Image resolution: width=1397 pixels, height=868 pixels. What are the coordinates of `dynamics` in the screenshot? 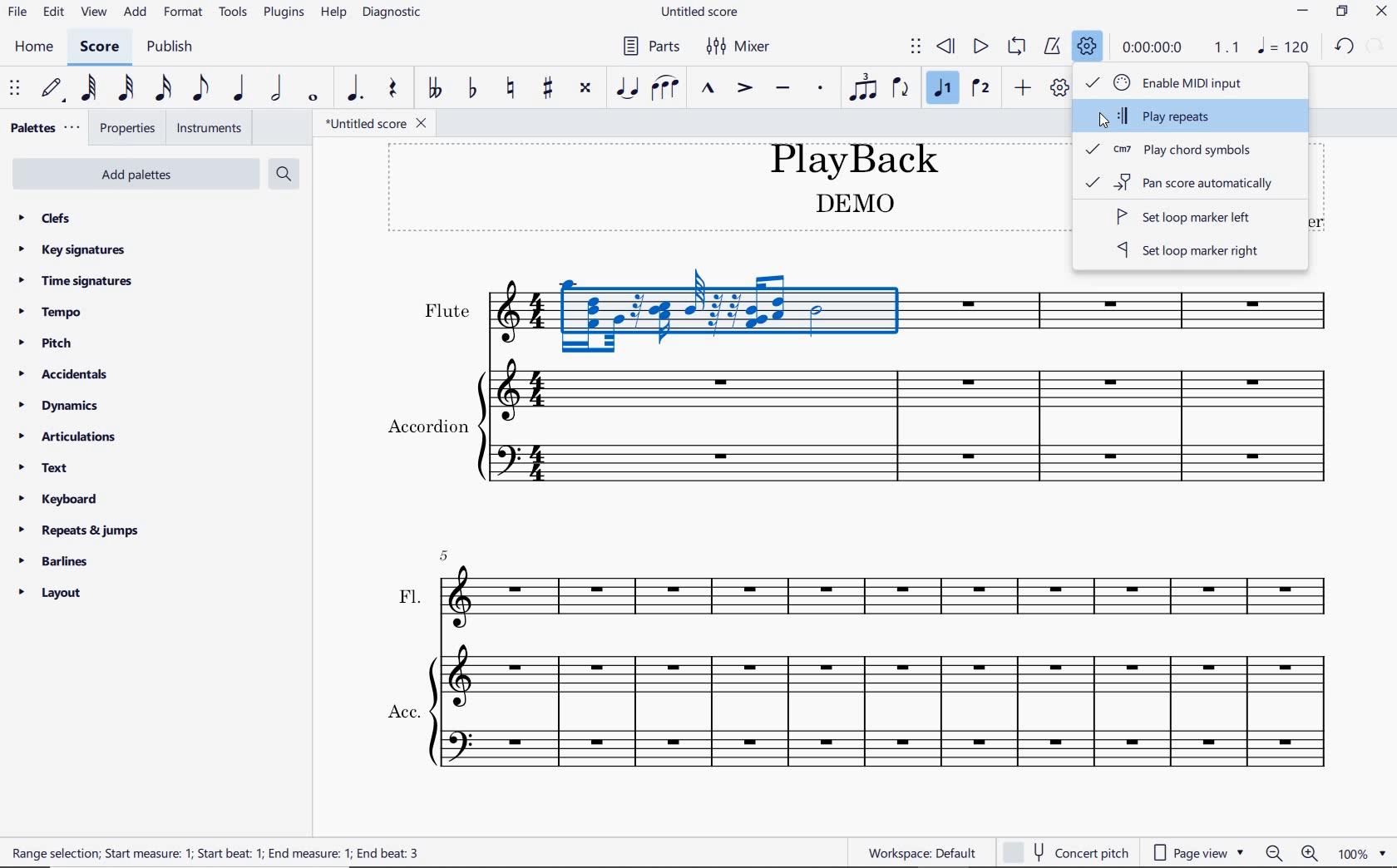 It's located at (59, 407).